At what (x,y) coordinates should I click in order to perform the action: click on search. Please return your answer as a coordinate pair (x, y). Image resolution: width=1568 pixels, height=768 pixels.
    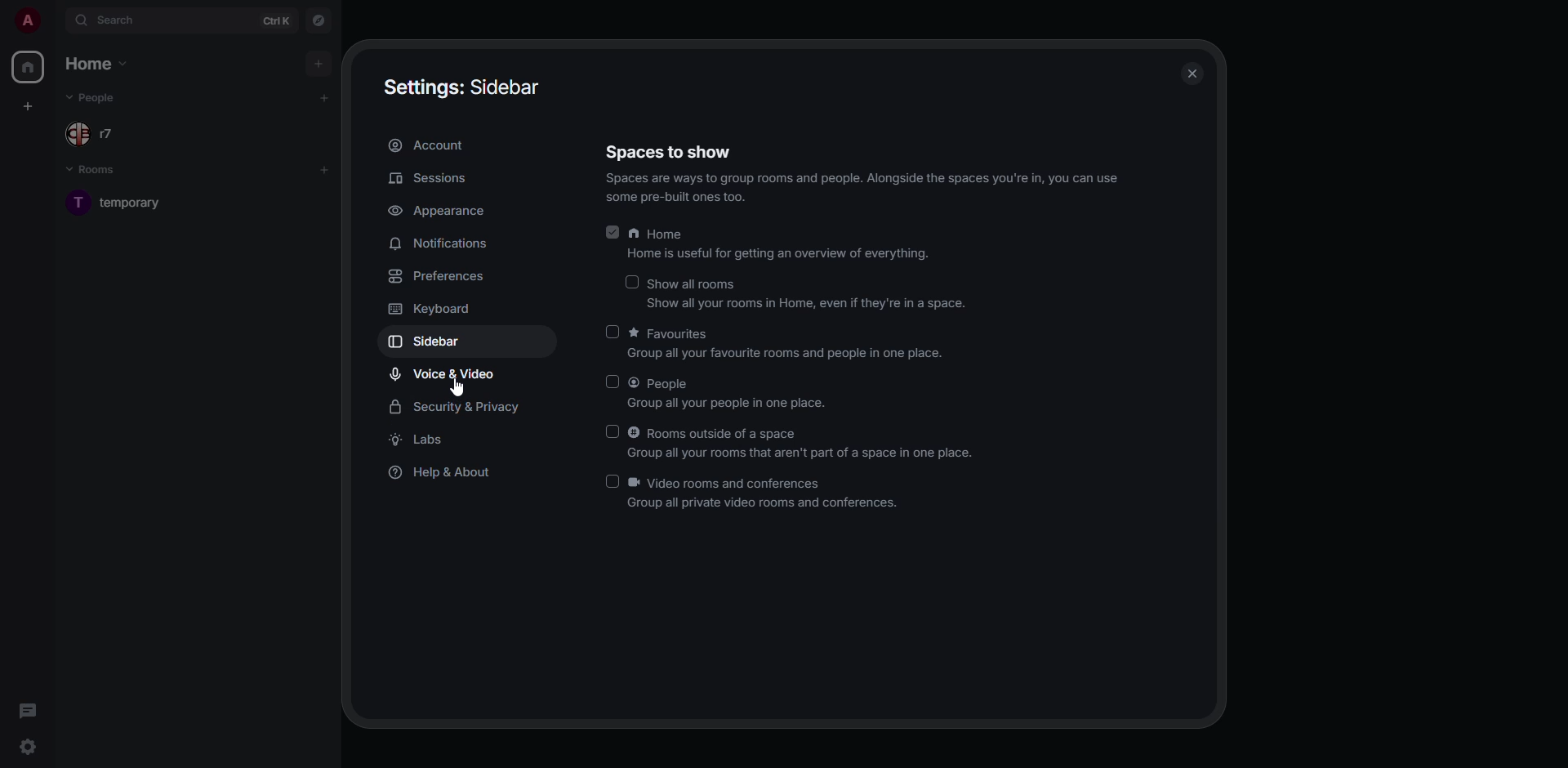
    Looking at the image, I should click on (118, 19).